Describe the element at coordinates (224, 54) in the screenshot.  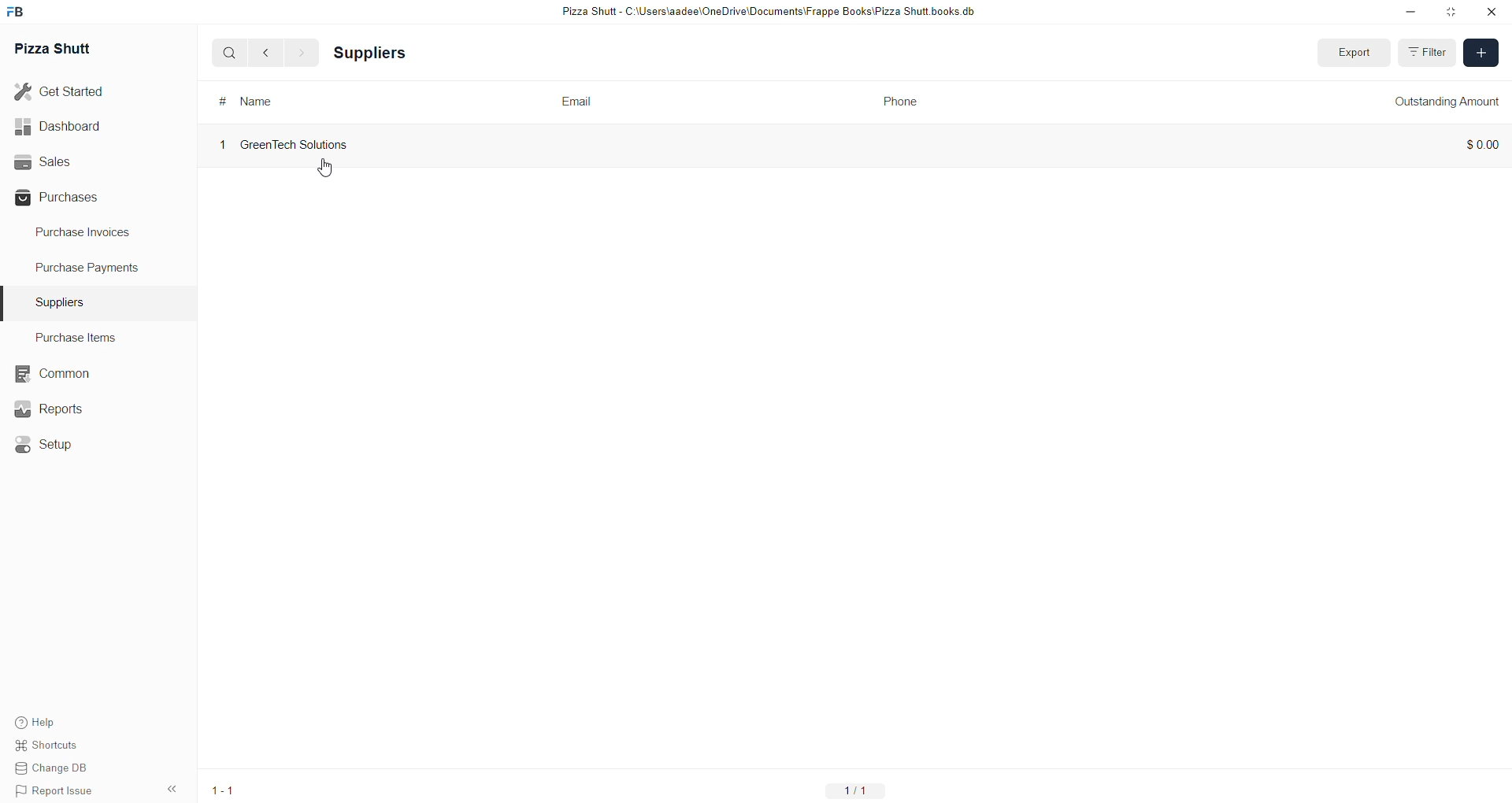
I see `search` at that location.